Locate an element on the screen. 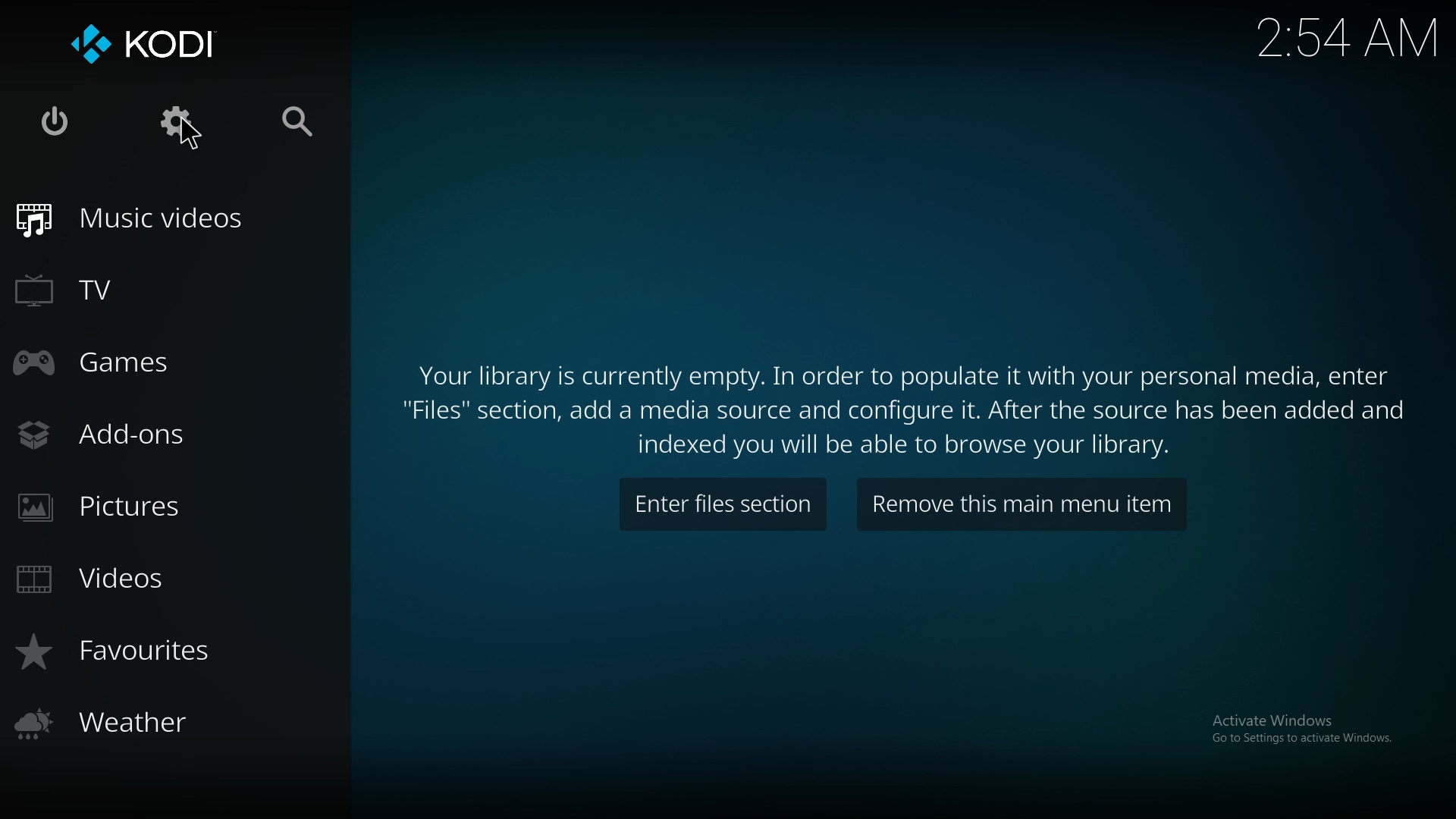  pointer cursor is located at coordinates (190, 130).